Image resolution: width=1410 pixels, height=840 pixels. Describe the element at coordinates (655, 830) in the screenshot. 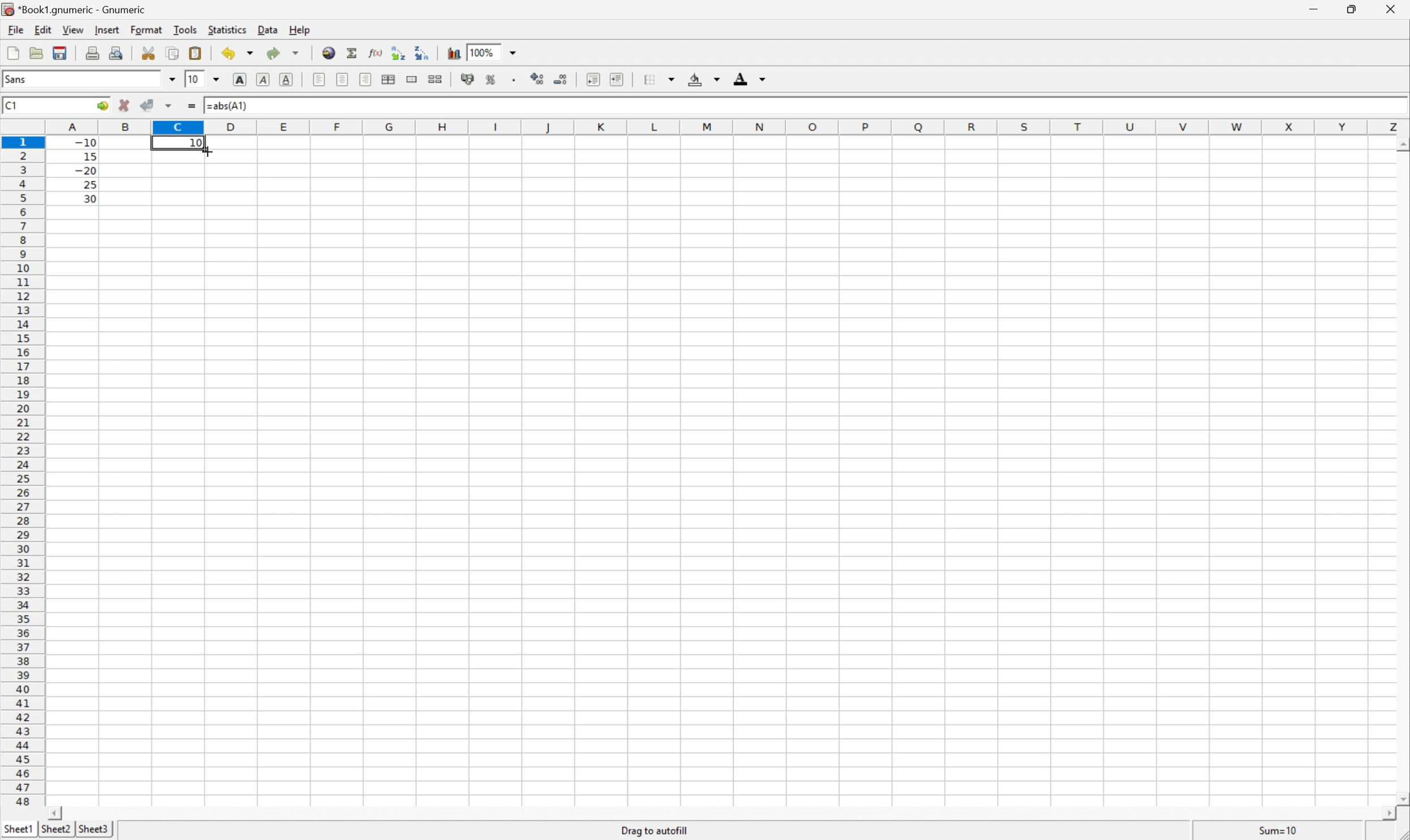

I see `Drag to autofill` at that location.